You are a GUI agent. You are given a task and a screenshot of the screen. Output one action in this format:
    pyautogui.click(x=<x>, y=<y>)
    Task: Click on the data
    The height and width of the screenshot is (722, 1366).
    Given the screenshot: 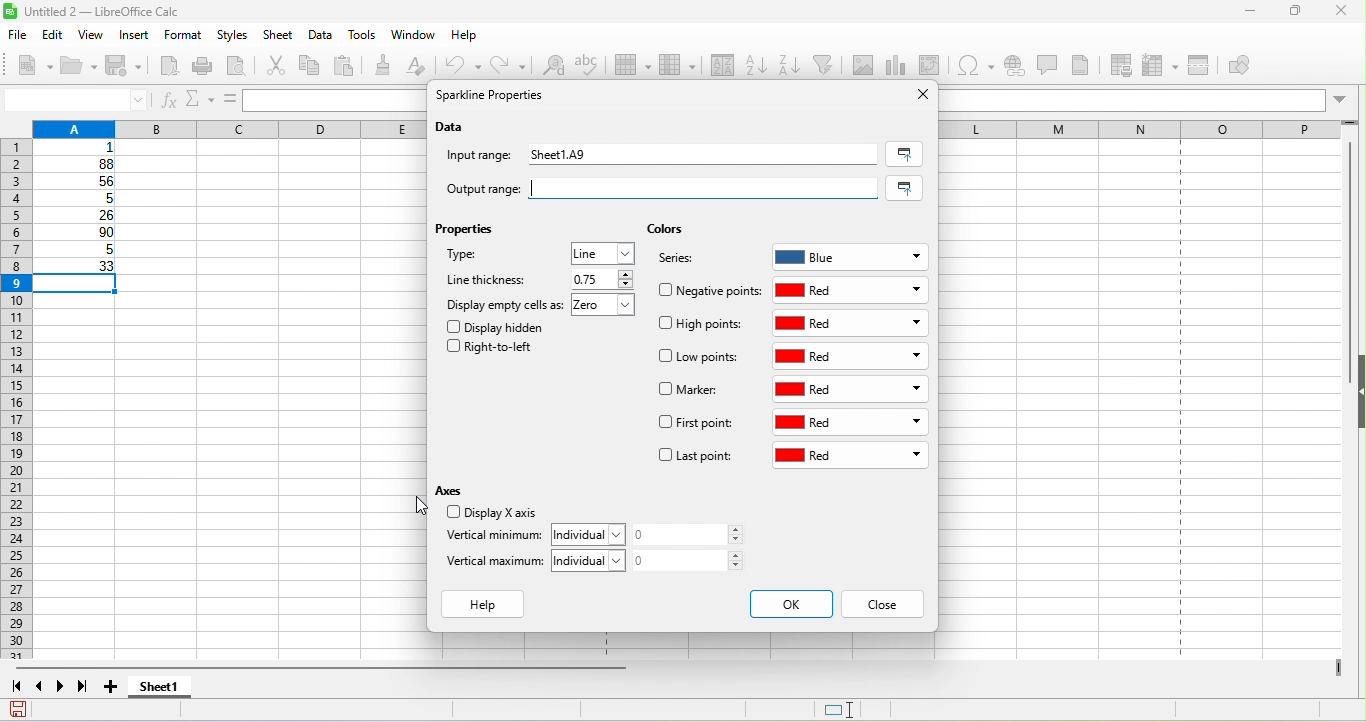 What is the action you would take?
    pyautogui.click(x=322, y=36)
    